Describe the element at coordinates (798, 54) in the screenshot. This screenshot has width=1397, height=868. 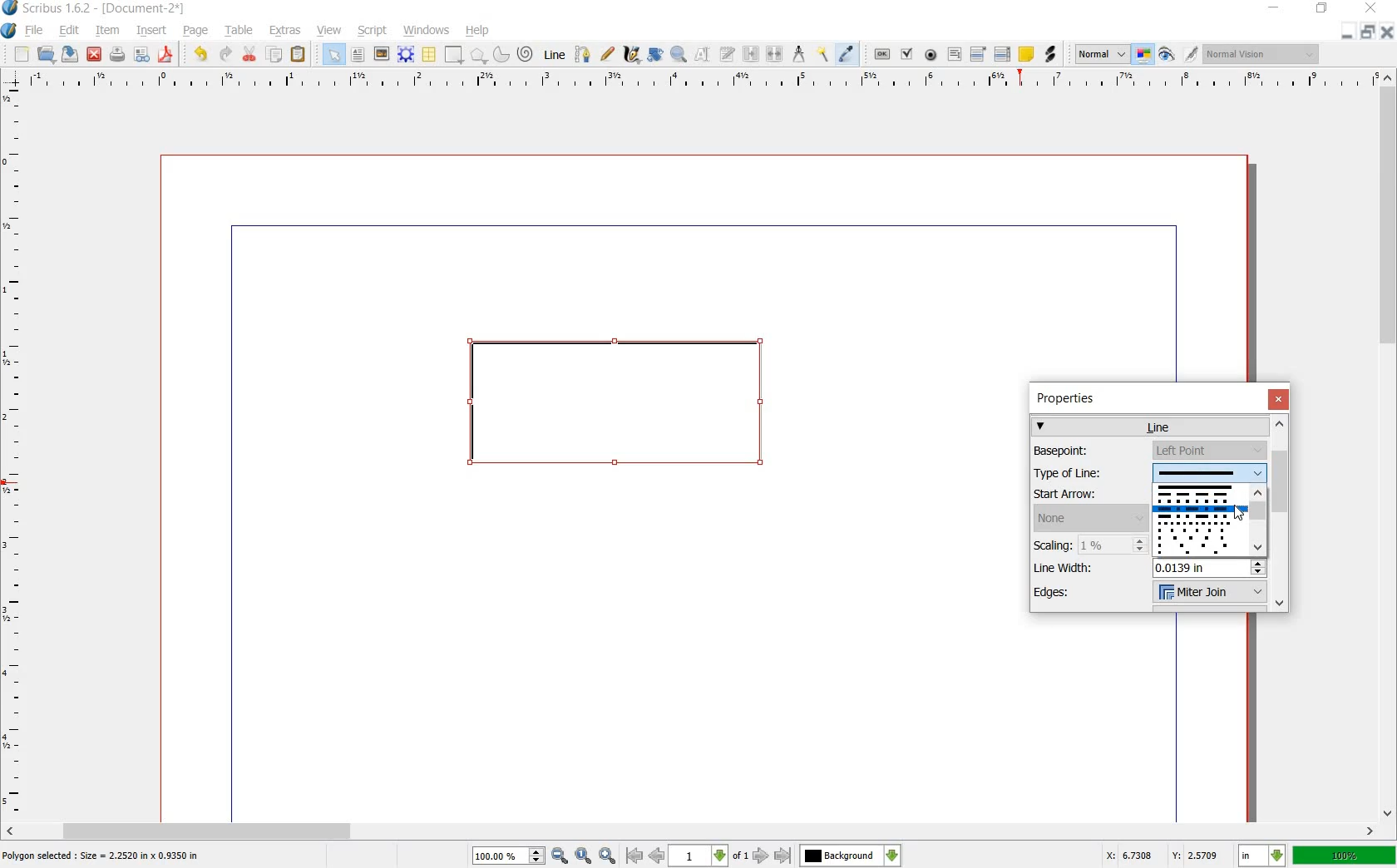
I see `MEASUREMENTS` at that location.